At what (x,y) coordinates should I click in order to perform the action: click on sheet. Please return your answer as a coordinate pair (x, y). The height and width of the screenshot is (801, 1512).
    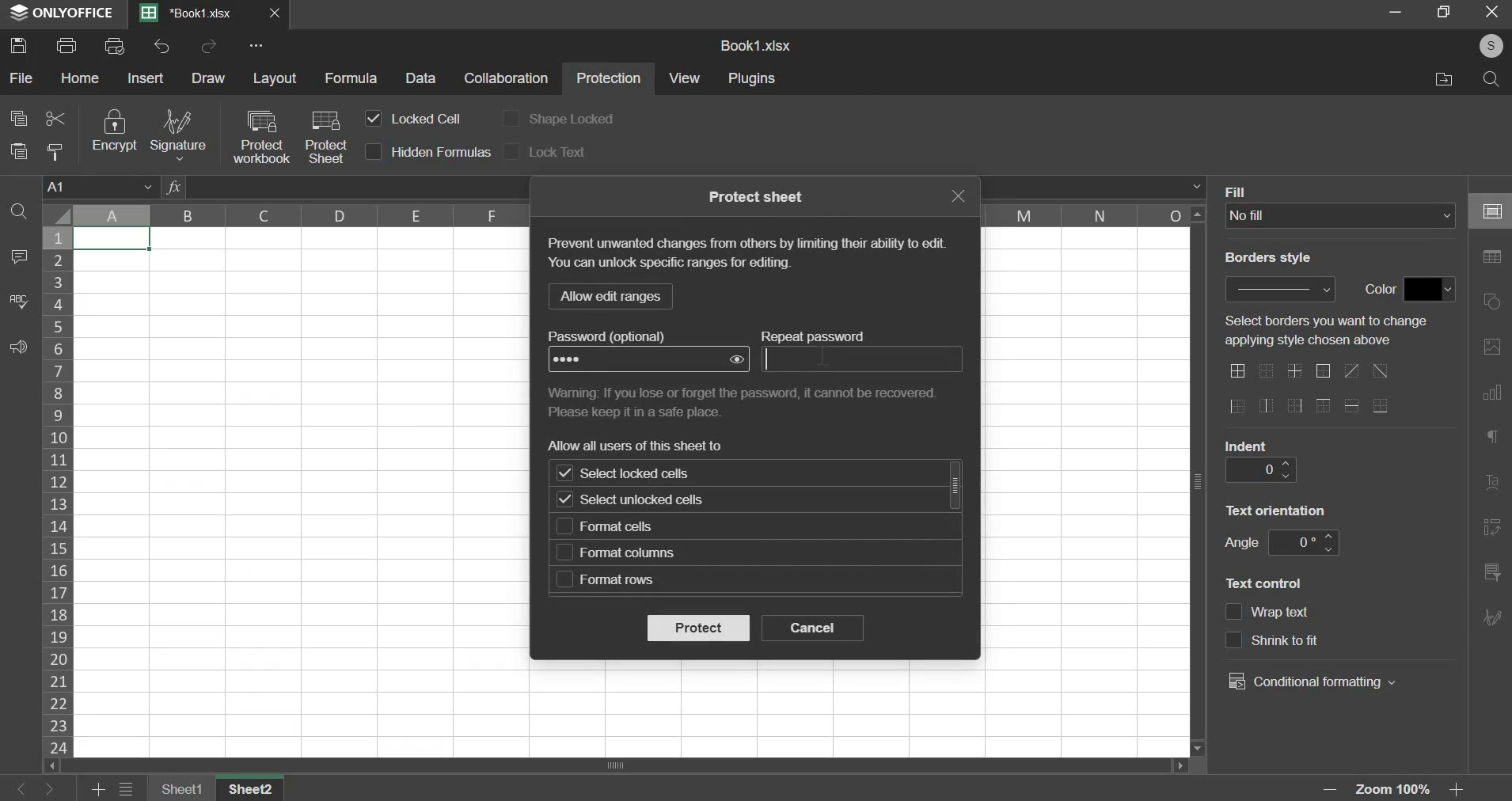
    Looking at the image, I should click on (184, 788).